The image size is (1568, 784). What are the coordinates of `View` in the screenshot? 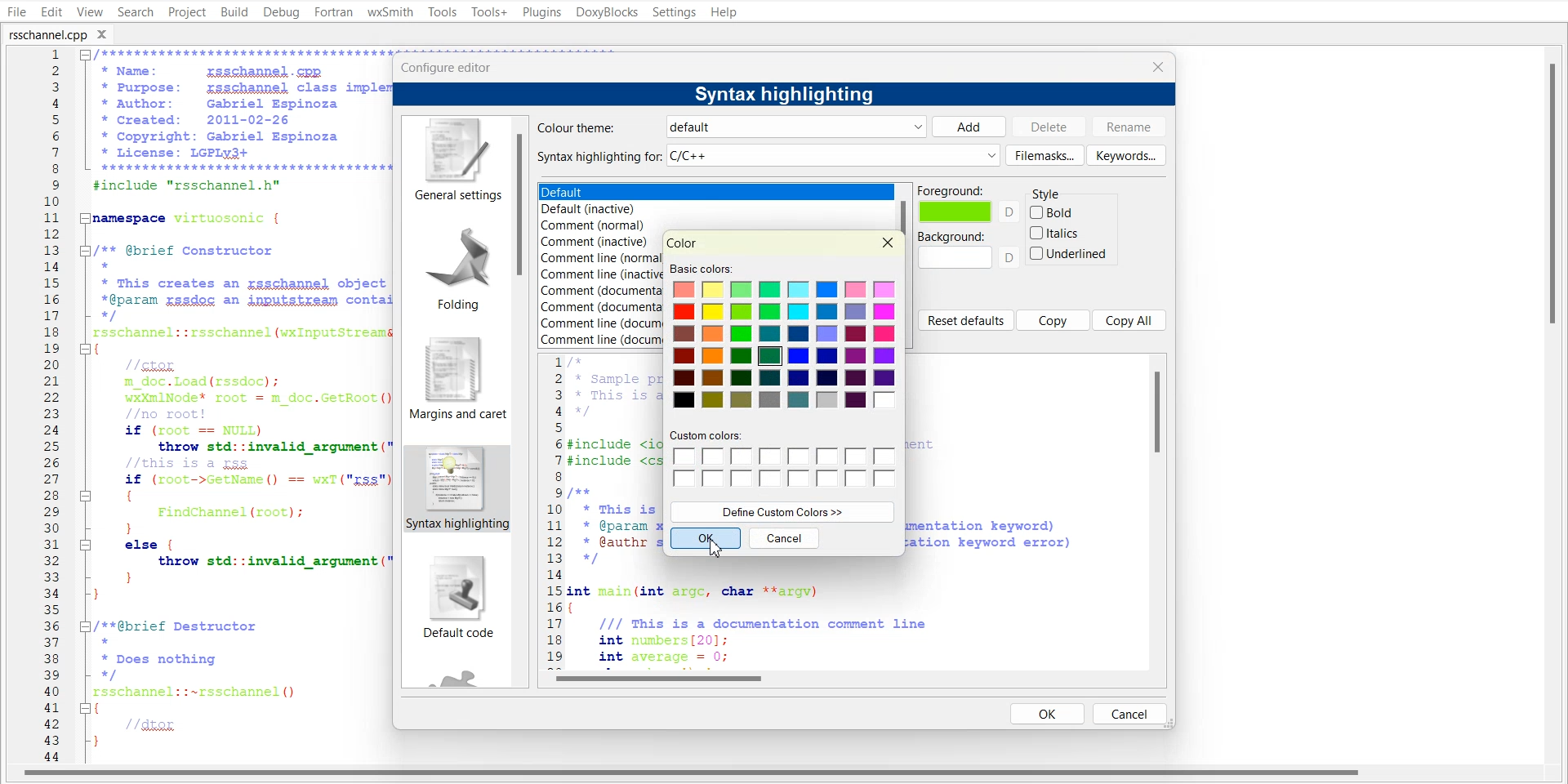 It's located at (89, 11).